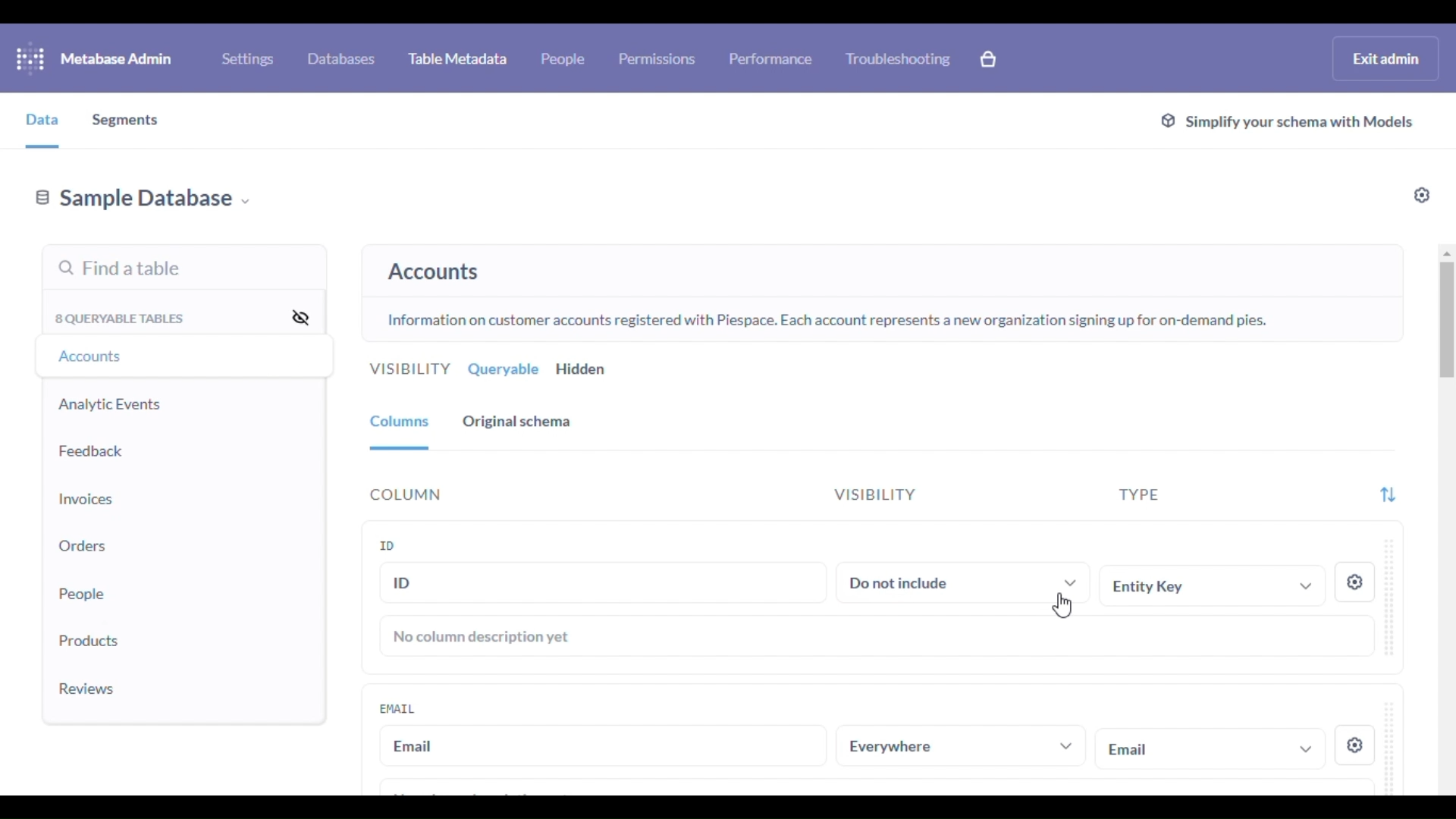 Image resolution: width=1456 pixels, height=819 pixels. I want to click on email, so click(397, 708).